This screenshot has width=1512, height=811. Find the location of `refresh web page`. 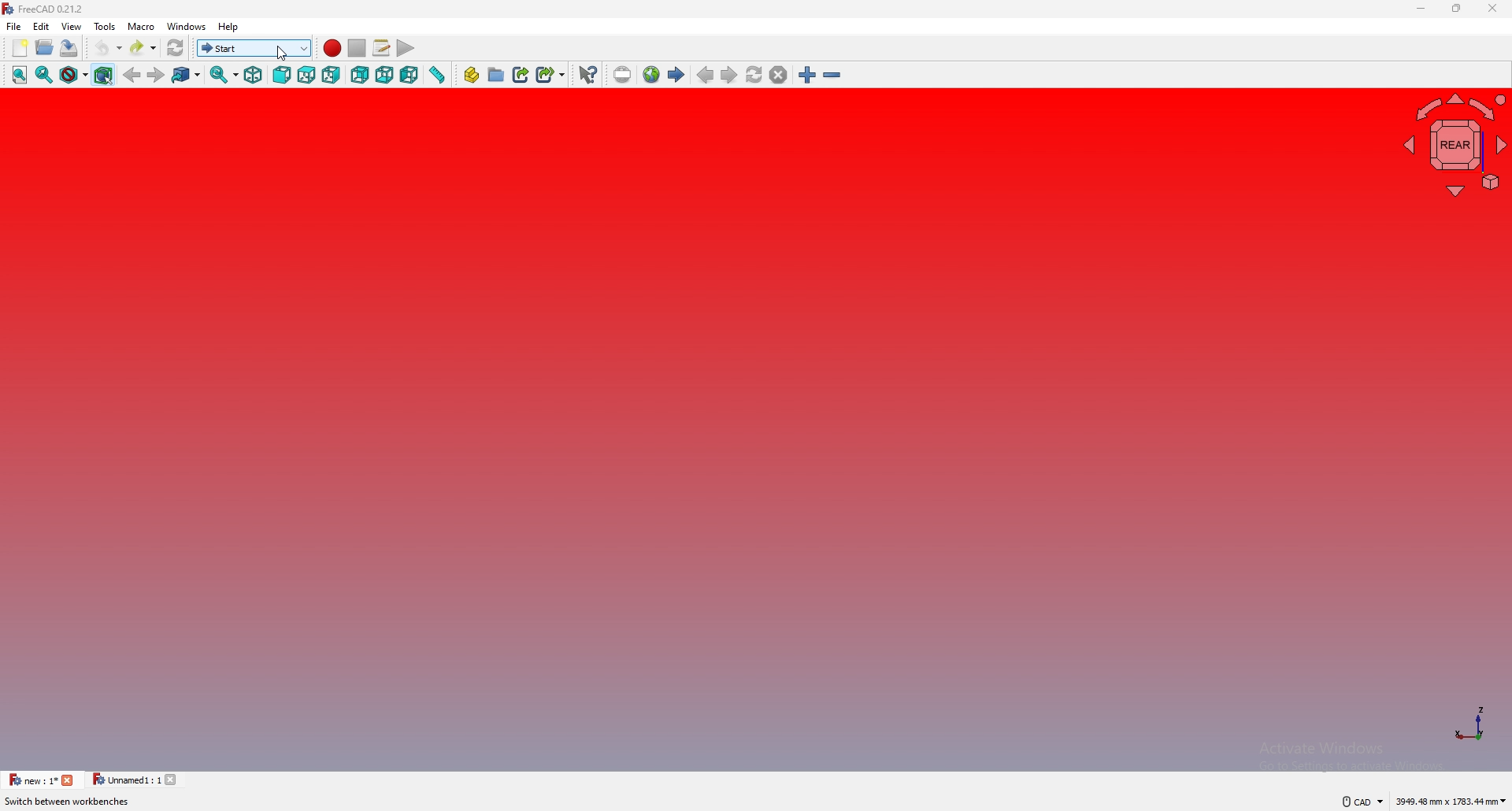

refresh web page is located at coordinates (755, 76).